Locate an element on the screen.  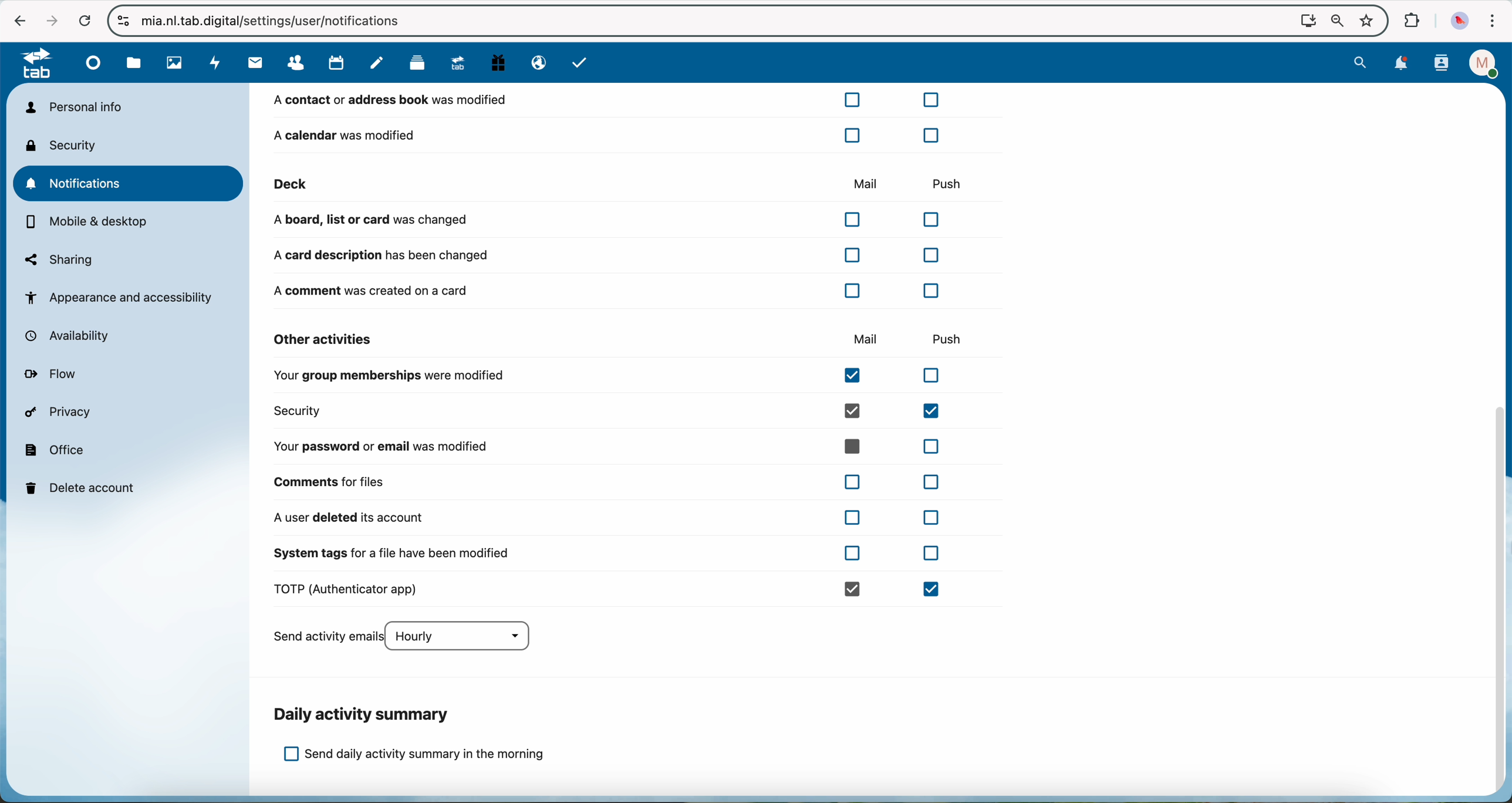
send activity emails is located at coordinates (408, 637).